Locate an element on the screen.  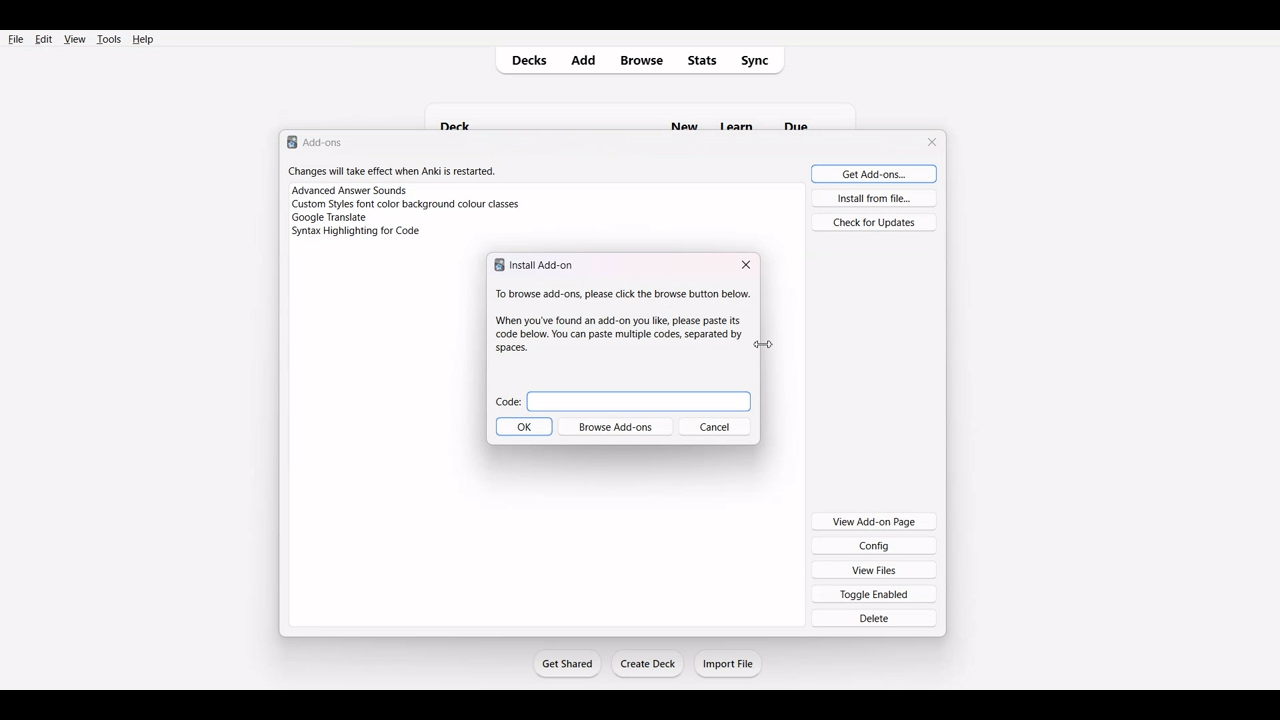
Decks is located at coordinates (525, 61).